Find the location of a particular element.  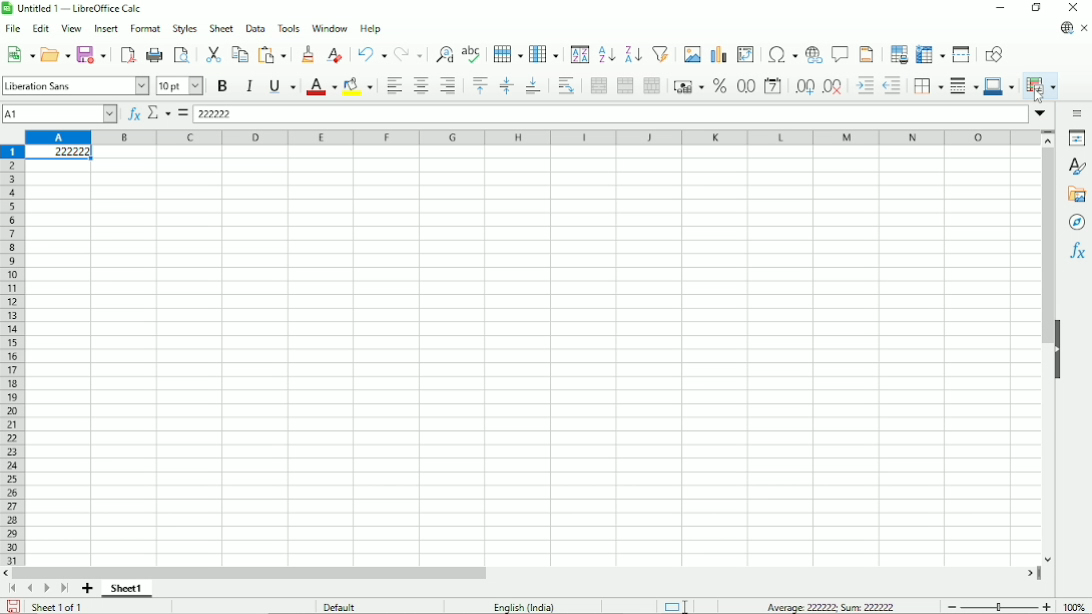

Default is located at coordinates (344, 606).